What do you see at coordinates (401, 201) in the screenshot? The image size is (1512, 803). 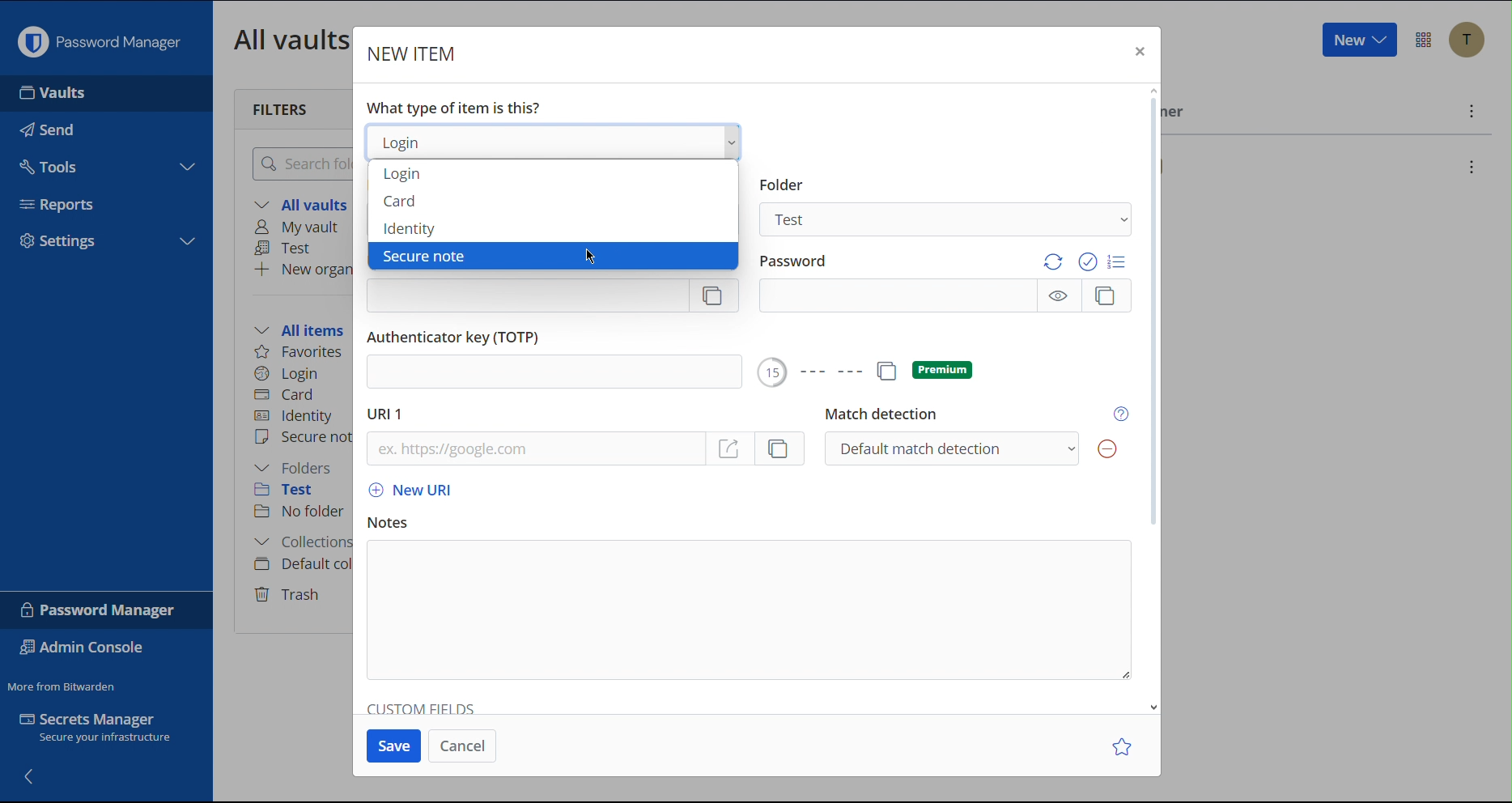 I see `Card` at bounding box center [401, 201].